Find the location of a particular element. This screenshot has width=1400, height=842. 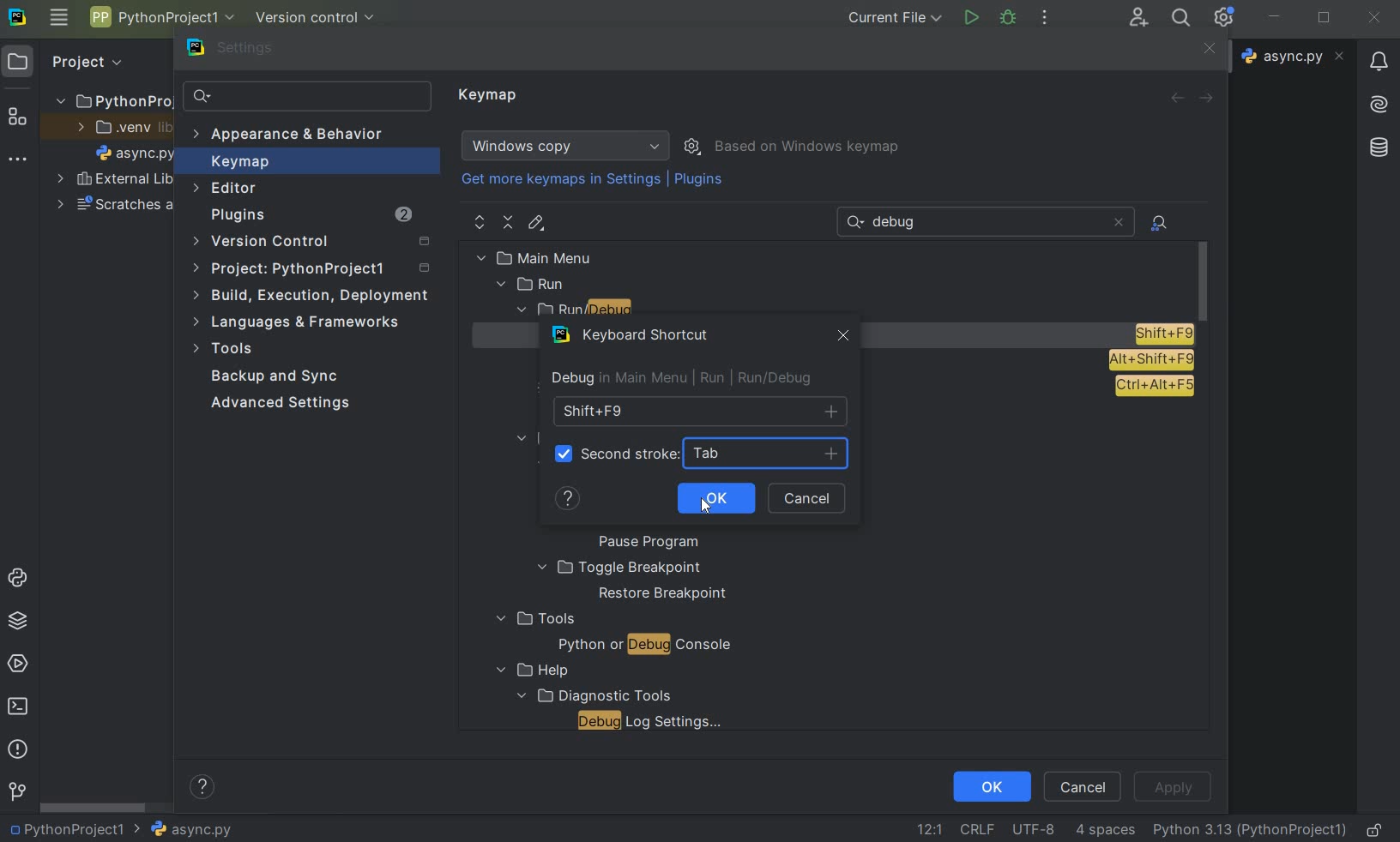

back is located at coordinates (1176, 98).